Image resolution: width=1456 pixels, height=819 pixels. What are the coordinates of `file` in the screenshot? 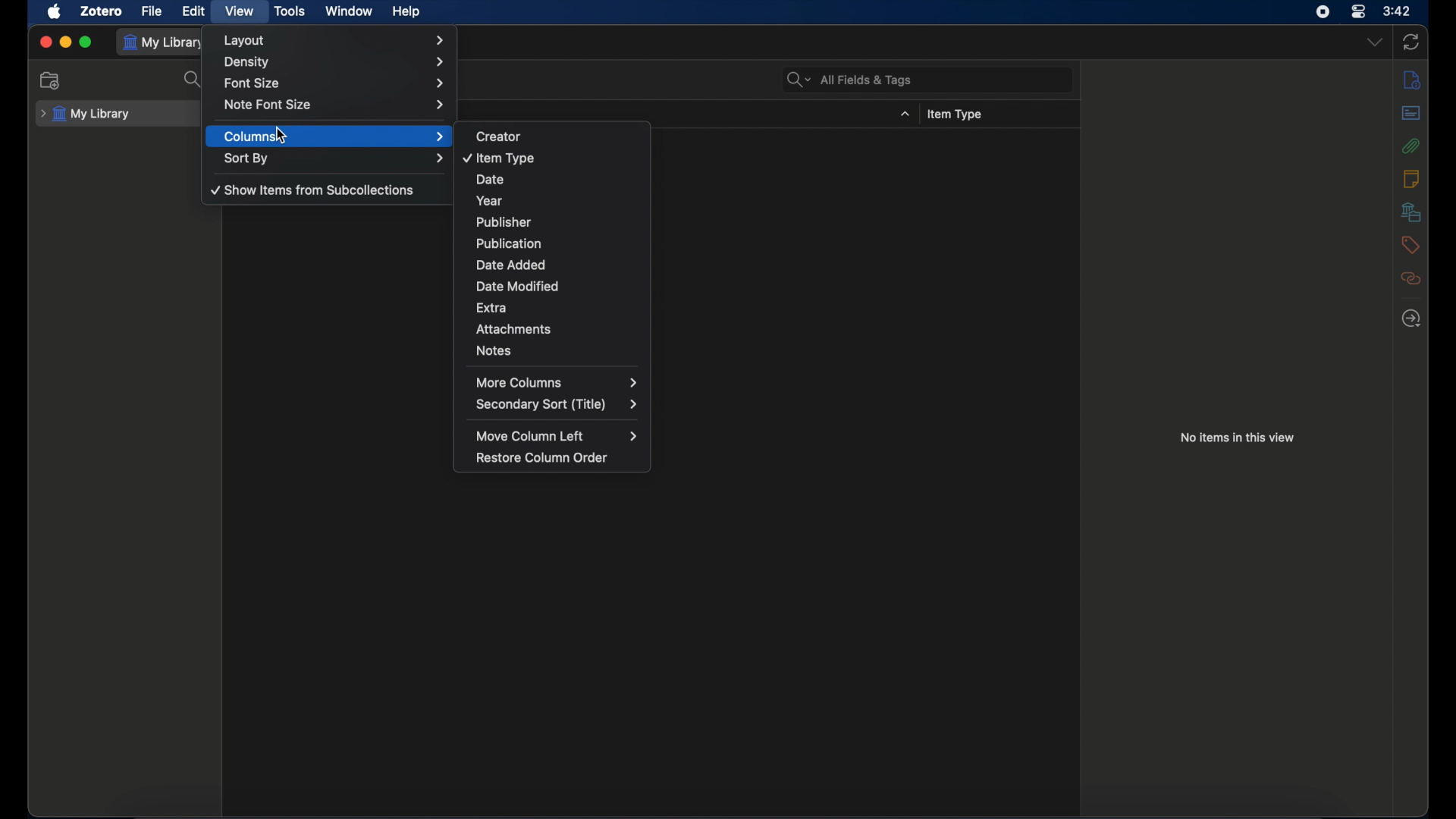 It's located at (152, 12).